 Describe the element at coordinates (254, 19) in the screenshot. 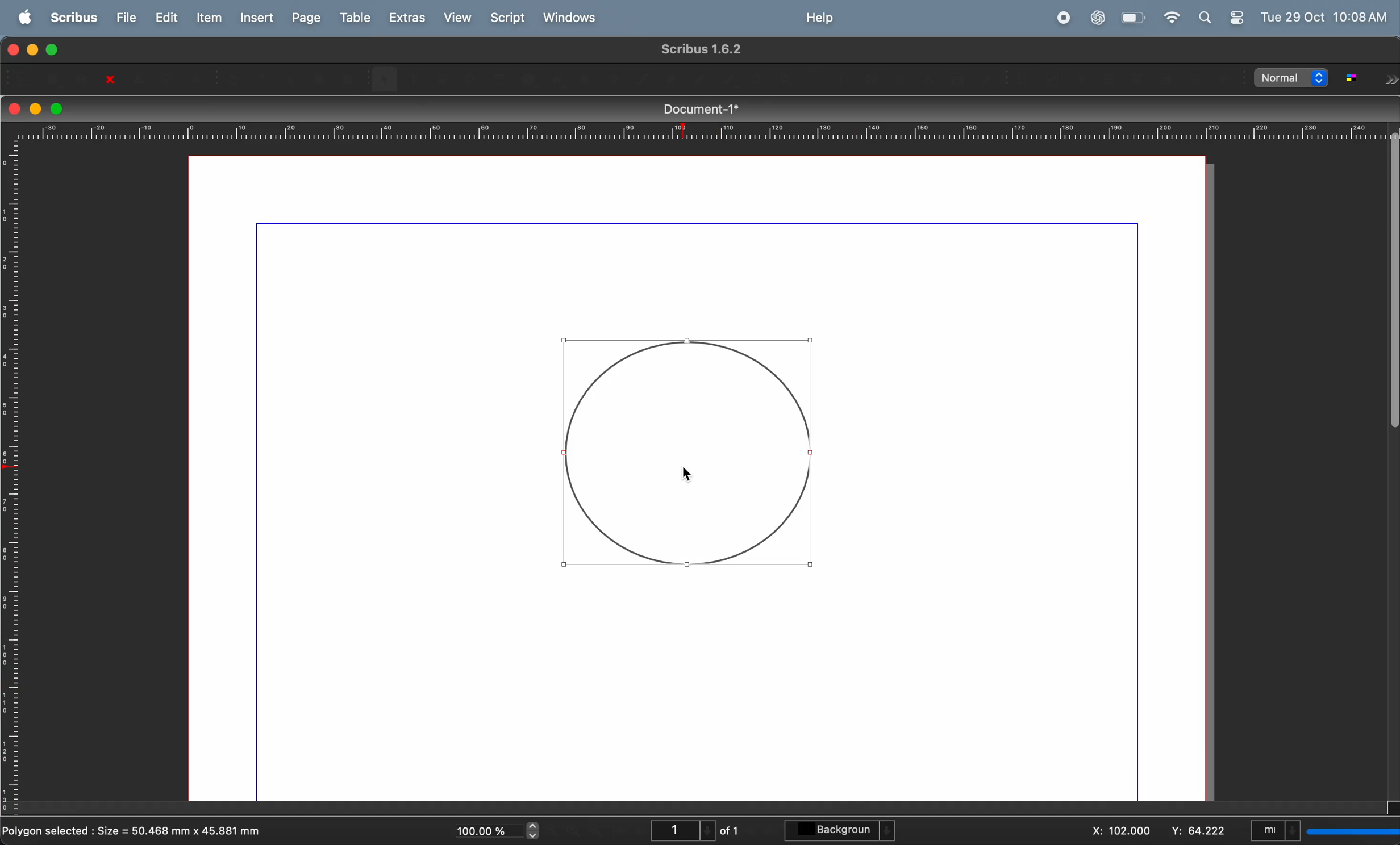

I see `insert` at that location.